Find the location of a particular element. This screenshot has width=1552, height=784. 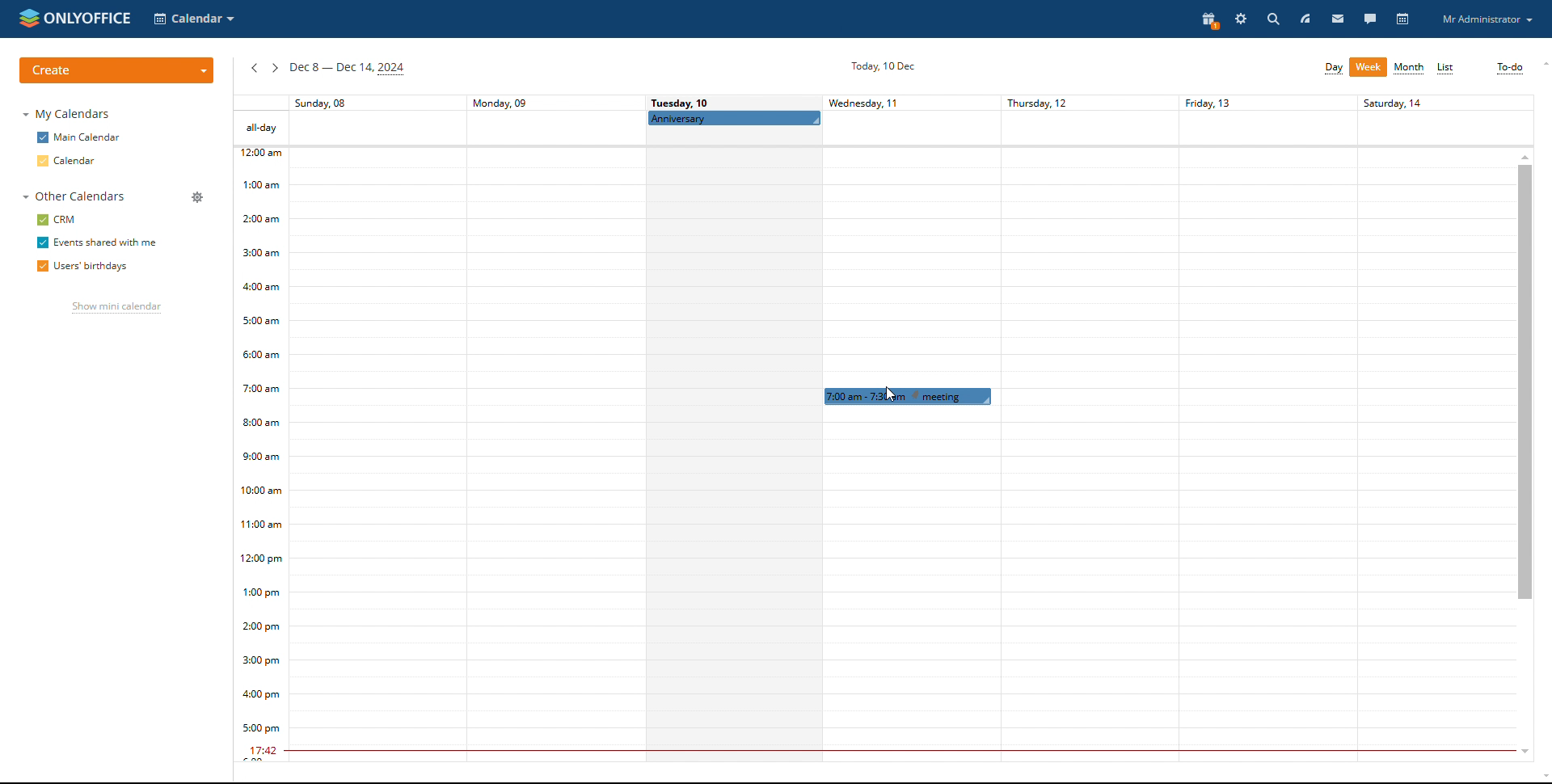

present is located at coordinates (1211, 21).